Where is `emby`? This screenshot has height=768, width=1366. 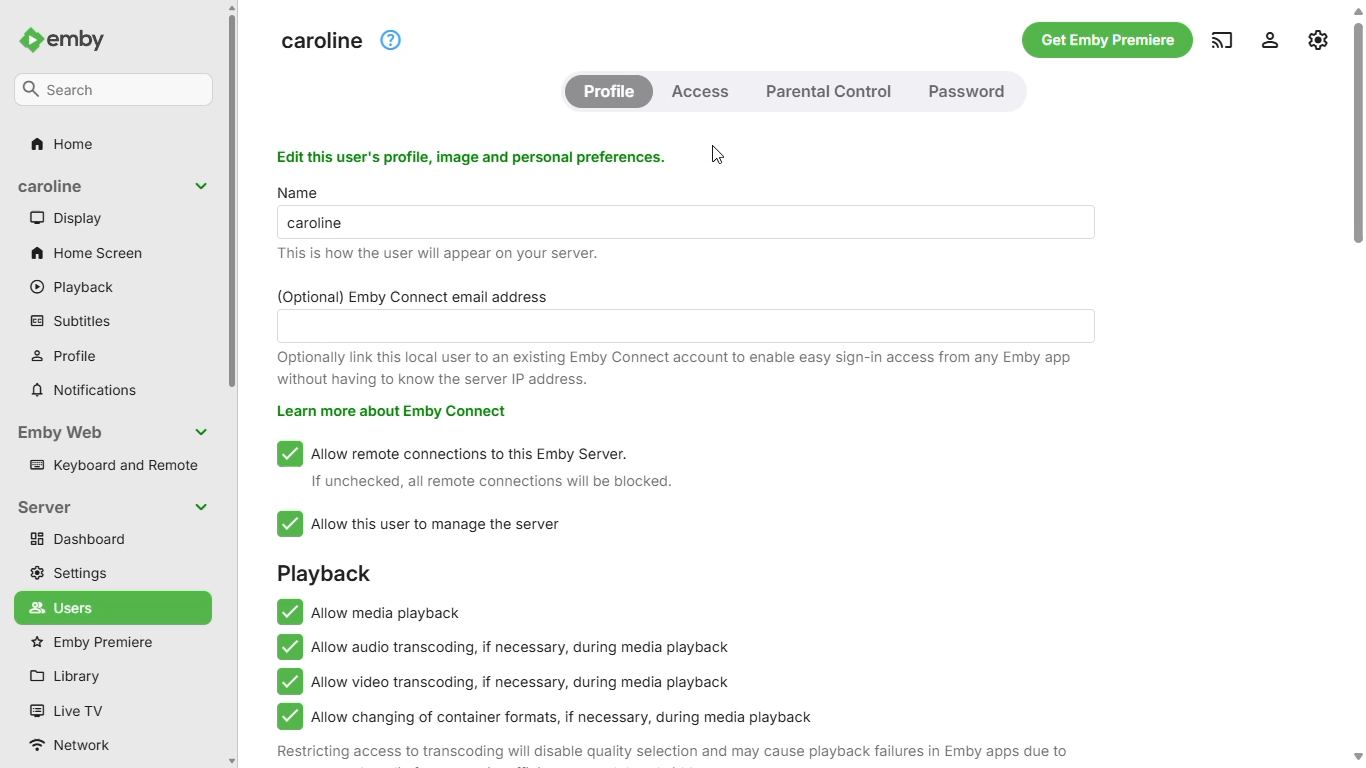 emby is located at coordinates (63, 39).